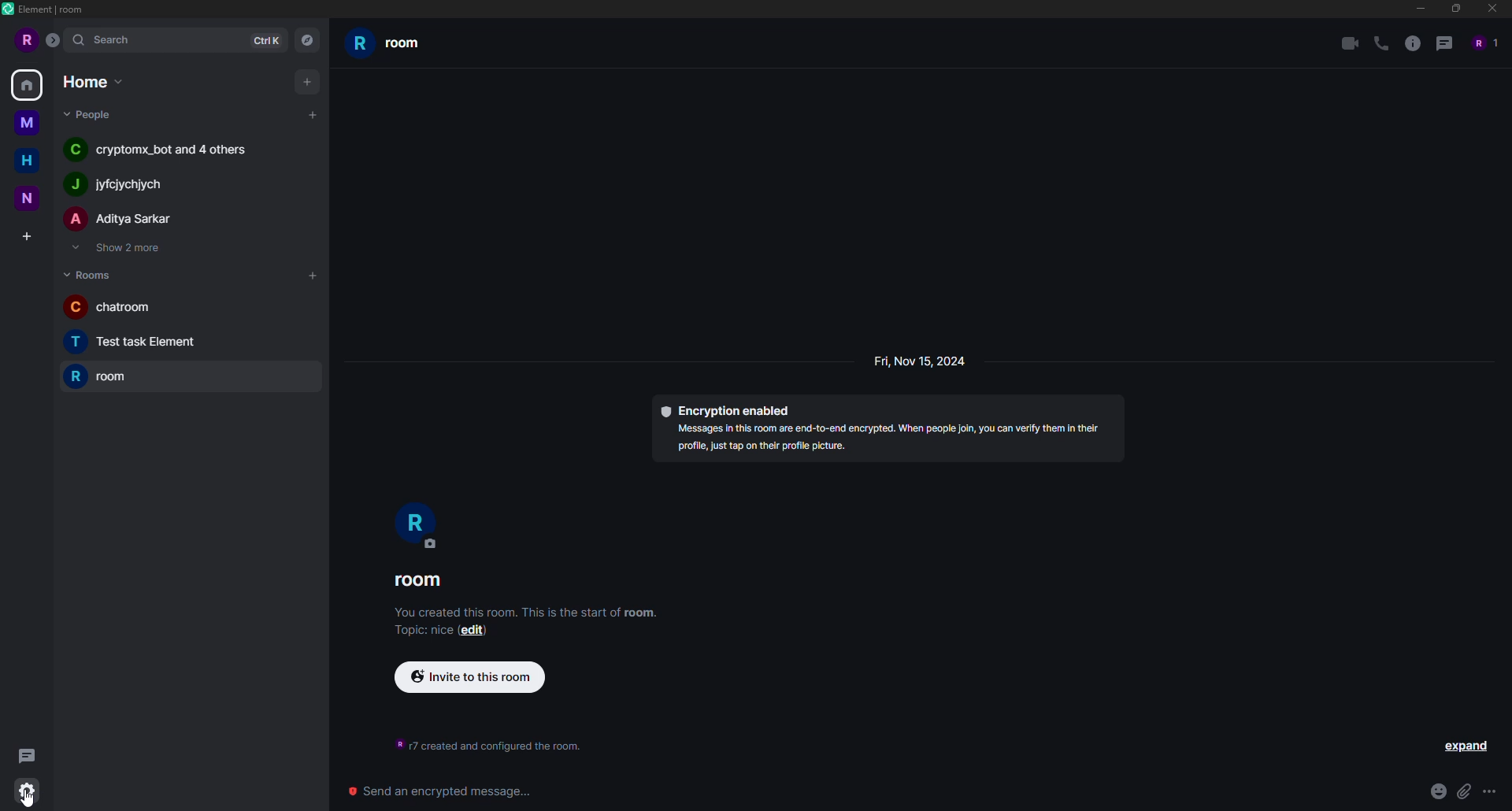 This screenshot has height=811, width=1512. Describe the element at coordinates (309, 80) in the screenshot. I see `add` at that location.